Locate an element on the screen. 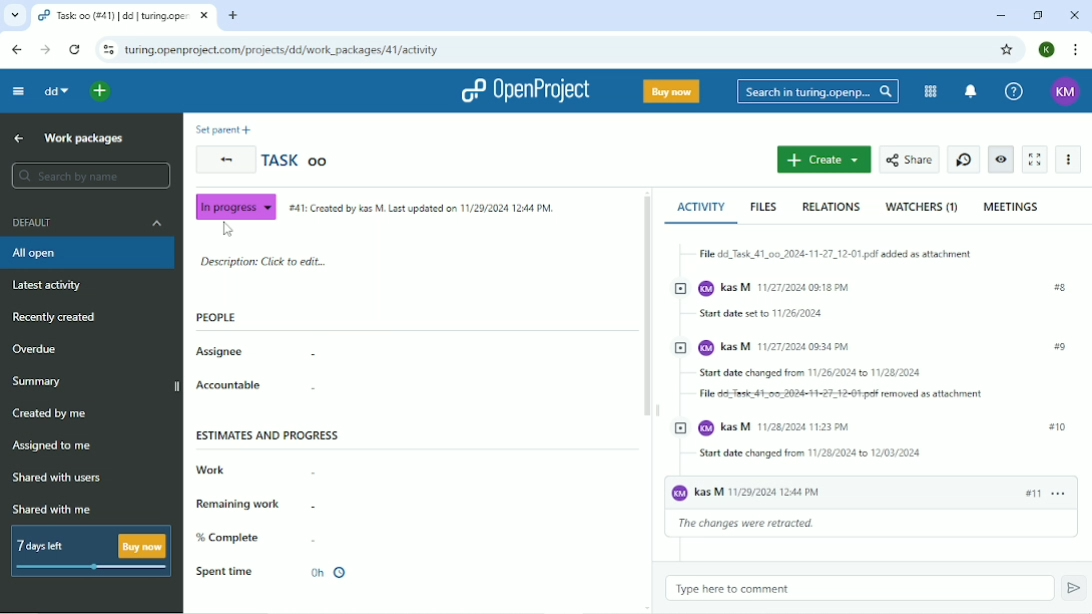 The width and height of the screenshot is (1092, 614). Estimates and progress is located at coordinates (266, 438).